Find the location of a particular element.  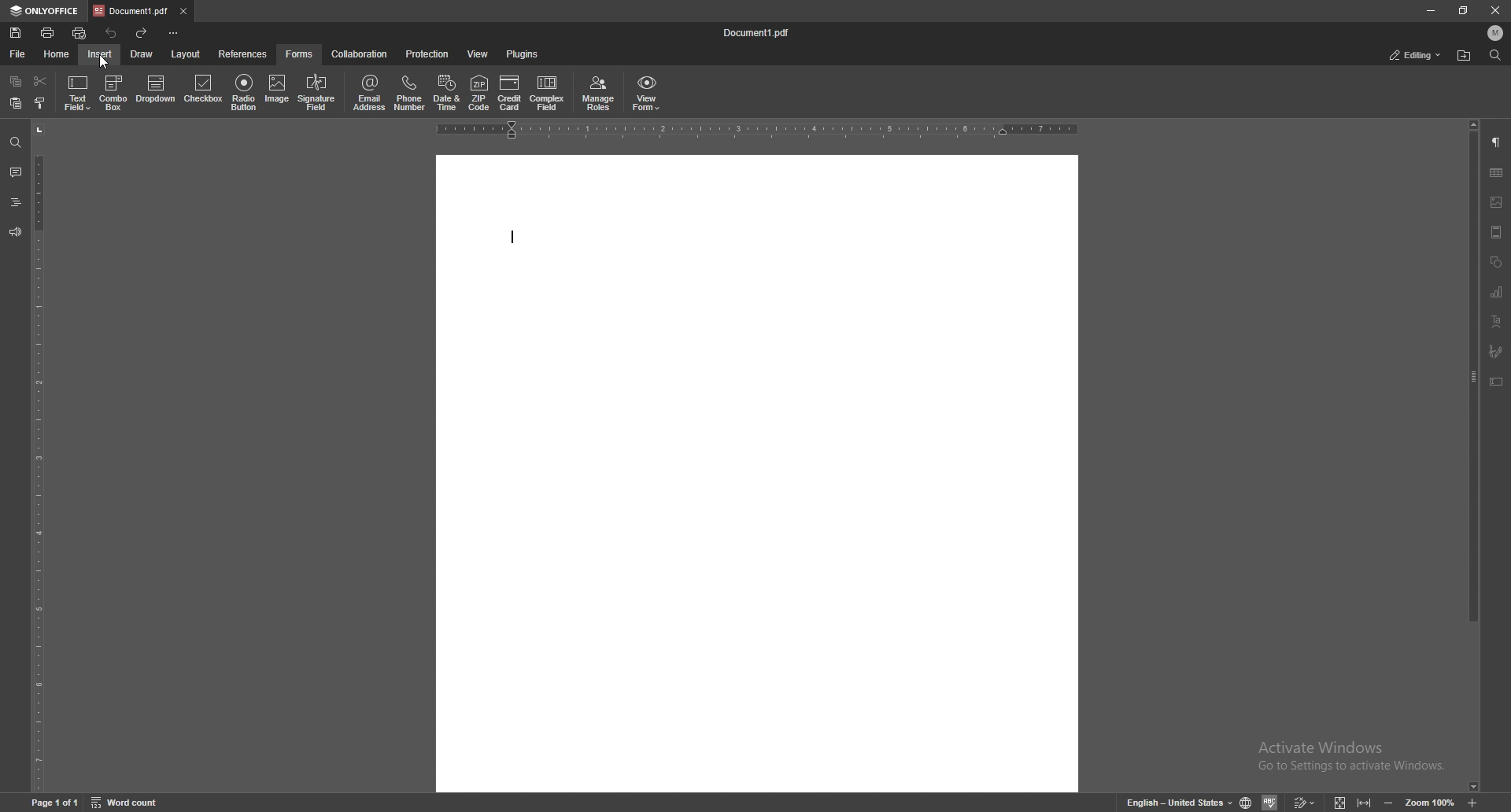

zoom out is located at coordinates (1389, 801).